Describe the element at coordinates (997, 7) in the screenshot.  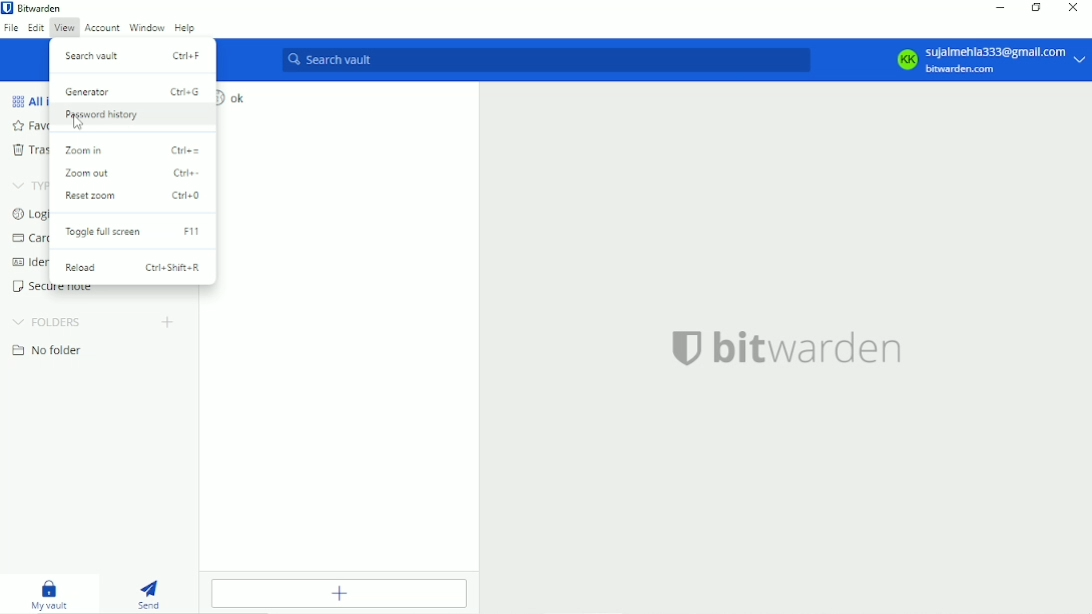
I see `Minimize` at that location.